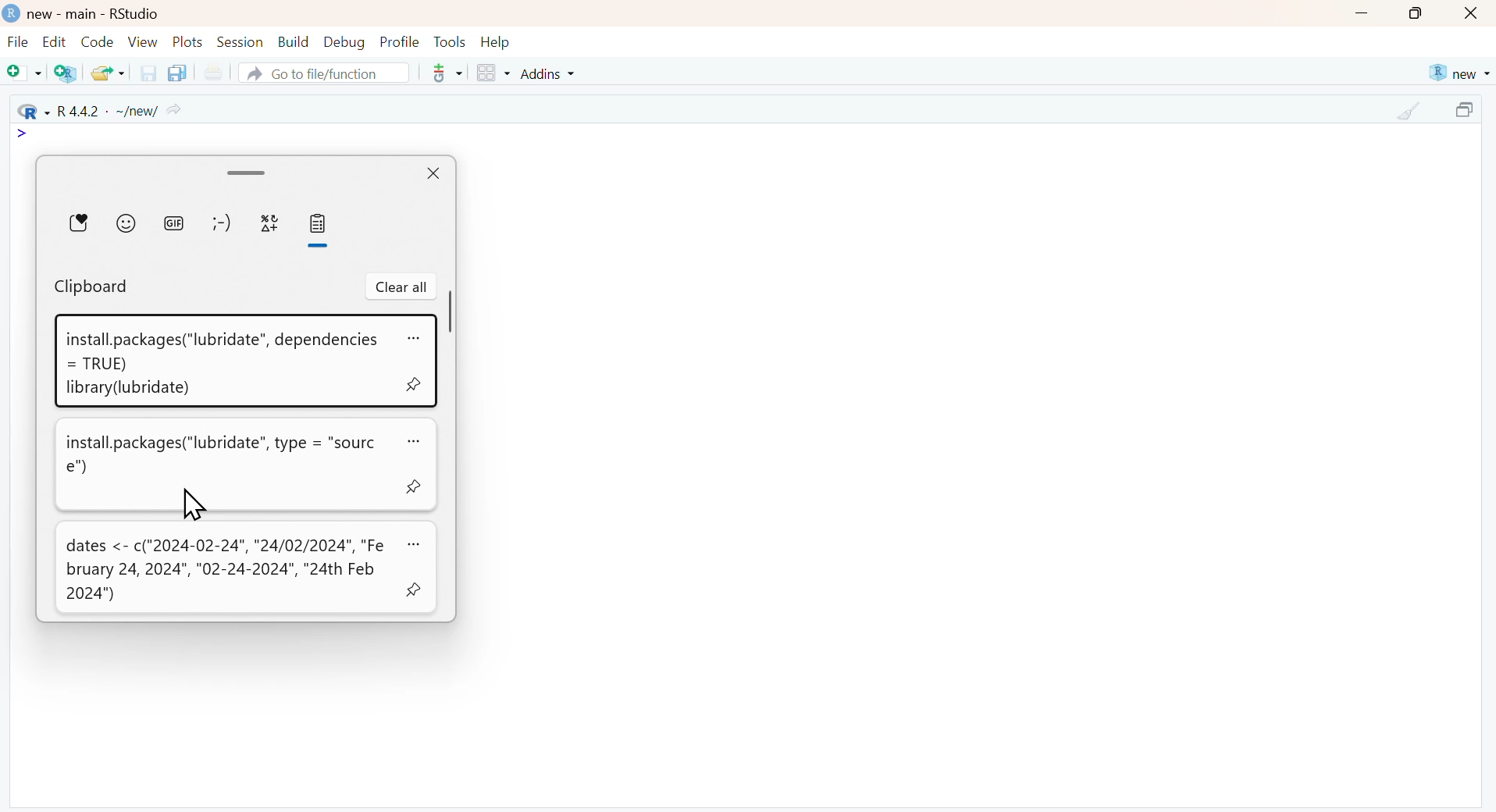 This screenshot has width=1496, height=812. What do you see at coordinates (1361, 15) in the screenshot?
I see `minimize` at bounding box center [1361, 15].